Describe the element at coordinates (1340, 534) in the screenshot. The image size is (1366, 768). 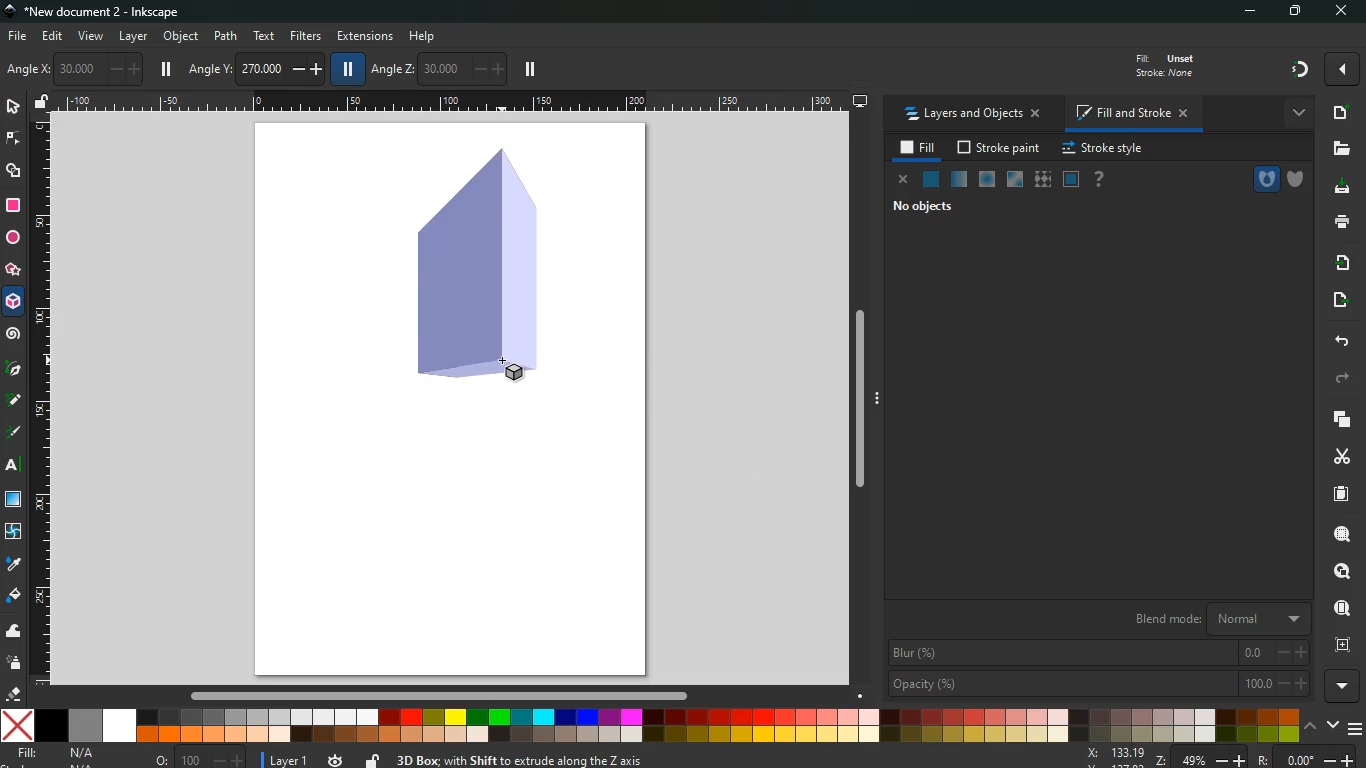
I see `search` at that location.